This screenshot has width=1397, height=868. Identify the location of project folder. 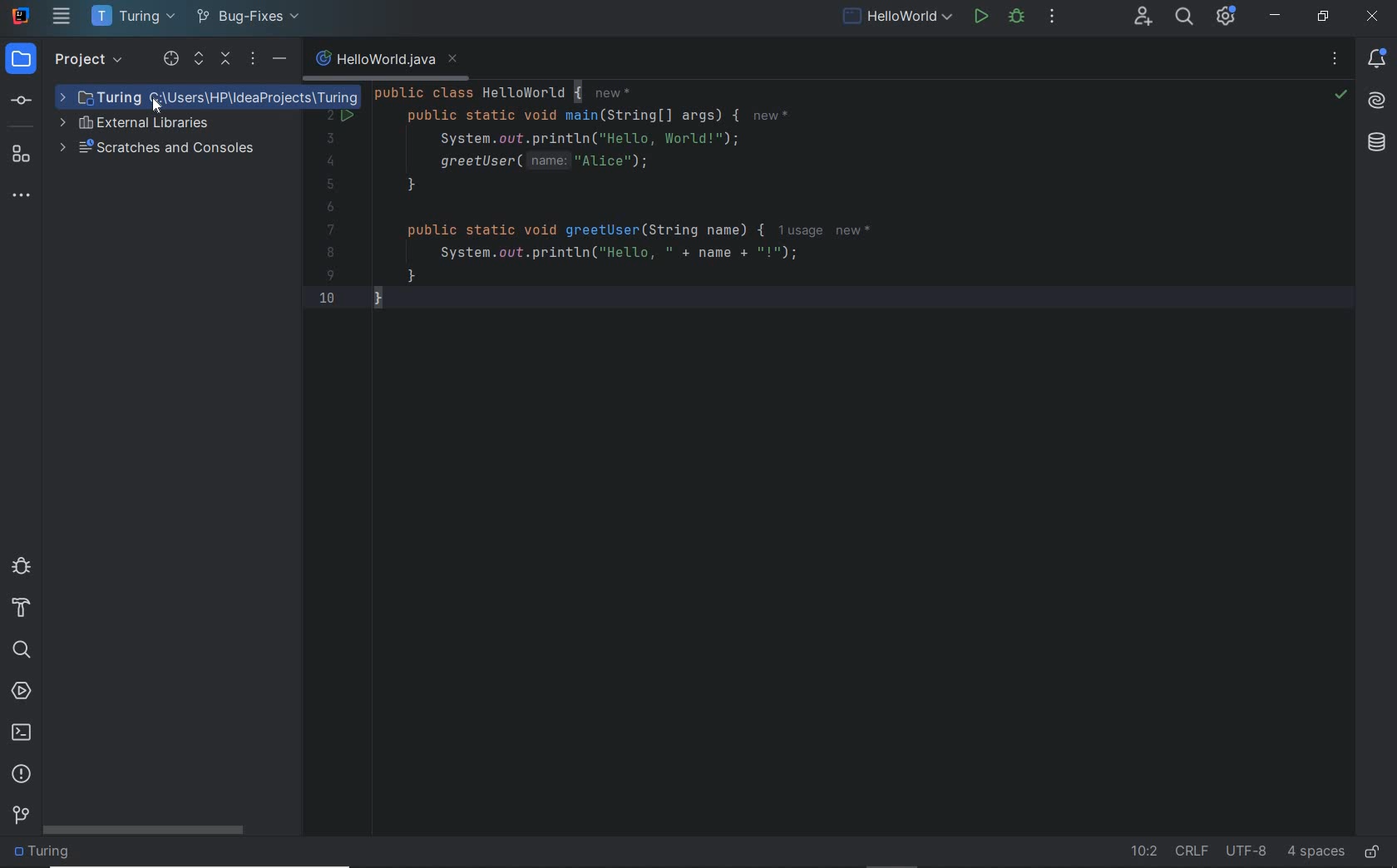
(46, 852).